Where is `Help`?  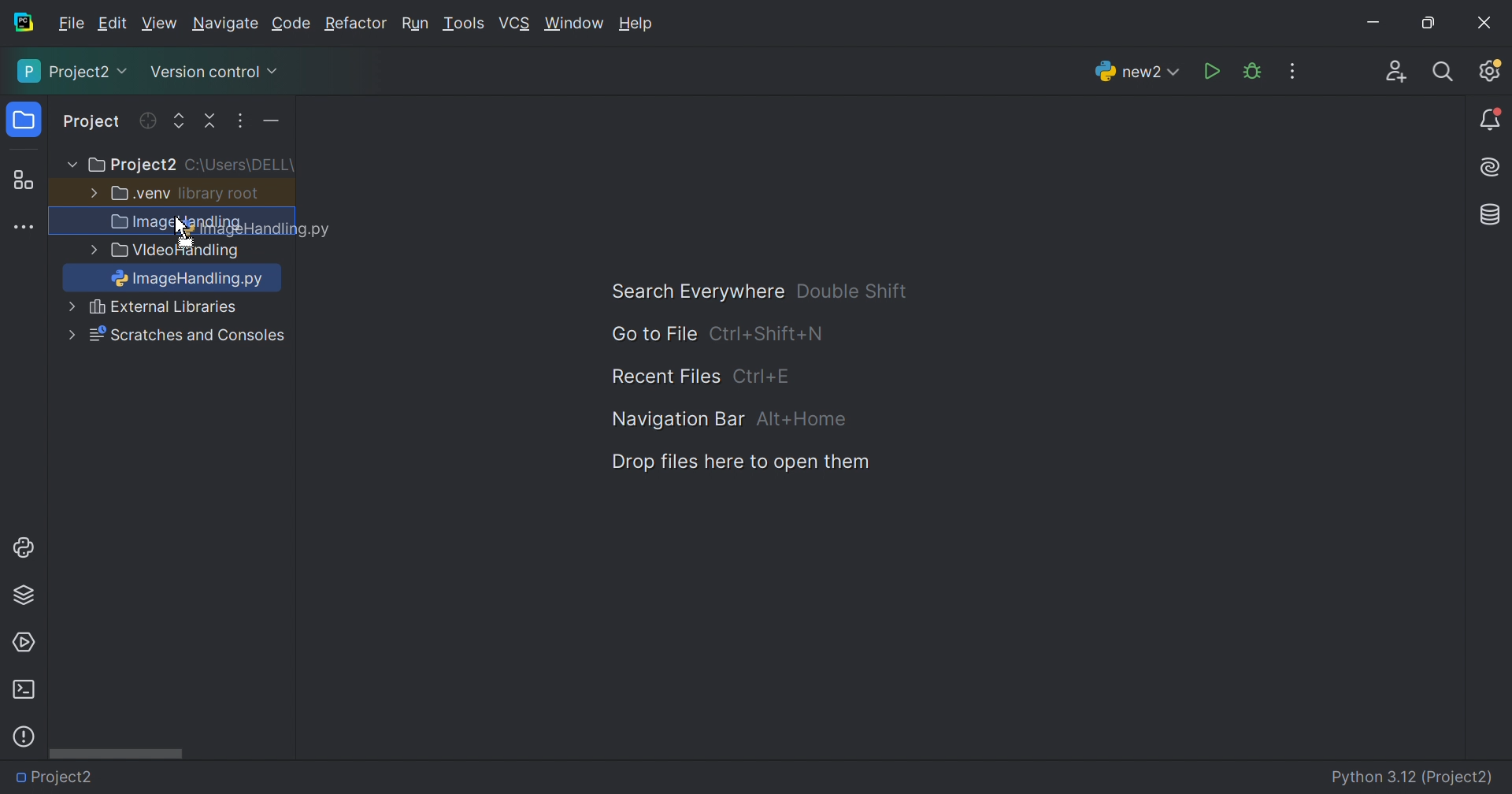
Help is located at coordinates (639, 25).